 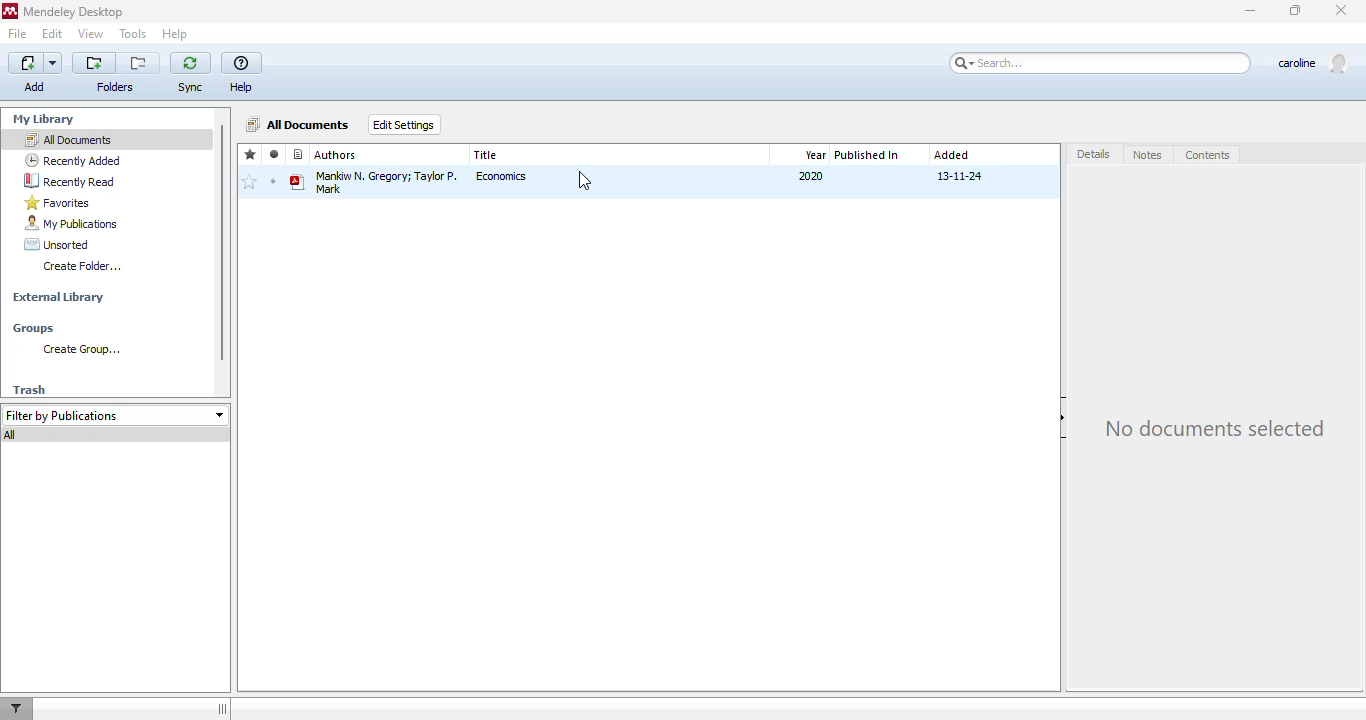 What do you see at coordinates (17, 34) in the screenshot?
I see `file` at bounding box center [17, 34].